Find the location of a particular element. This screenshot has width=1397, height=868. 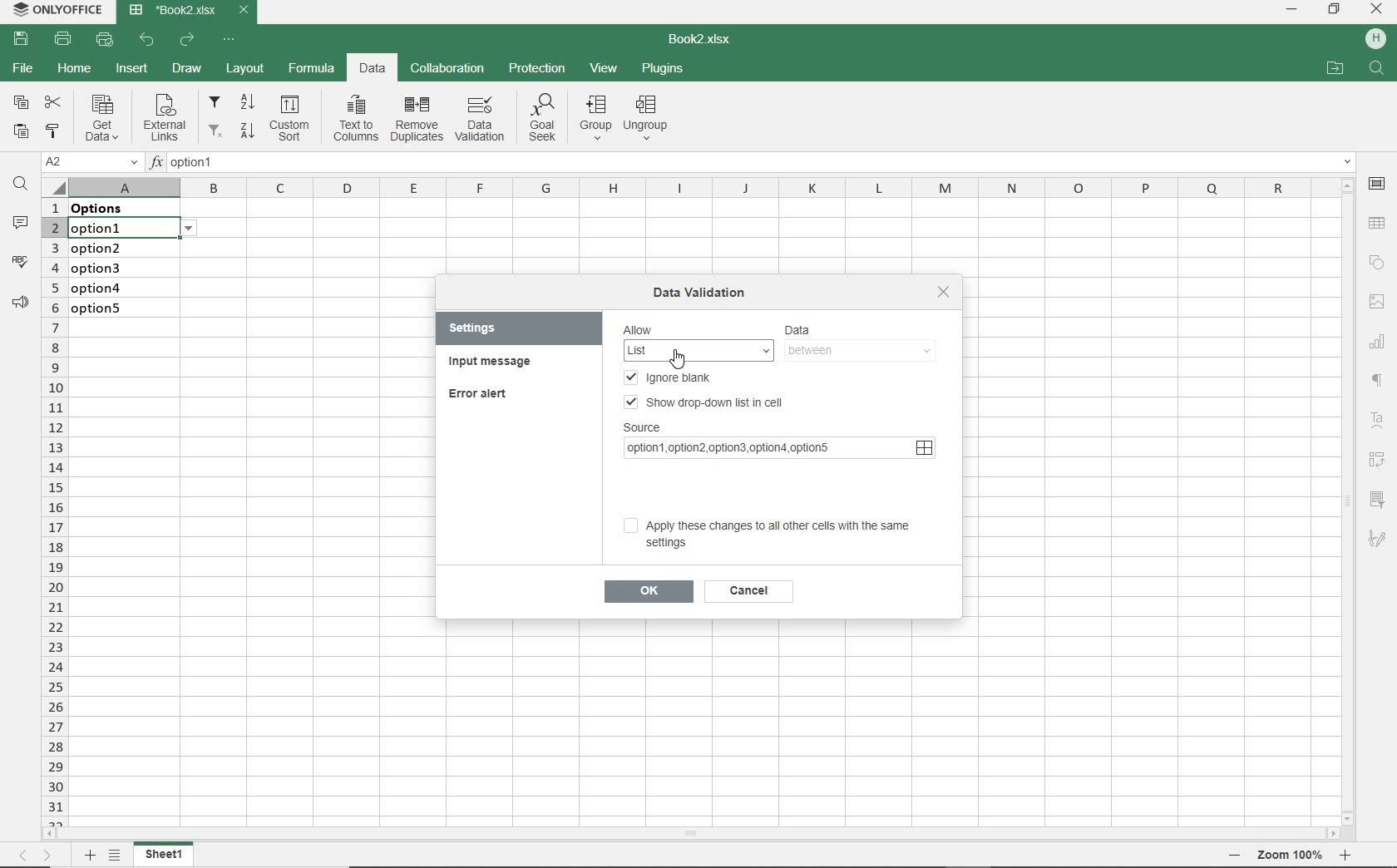

REDO is located at coordinates (187, 40).